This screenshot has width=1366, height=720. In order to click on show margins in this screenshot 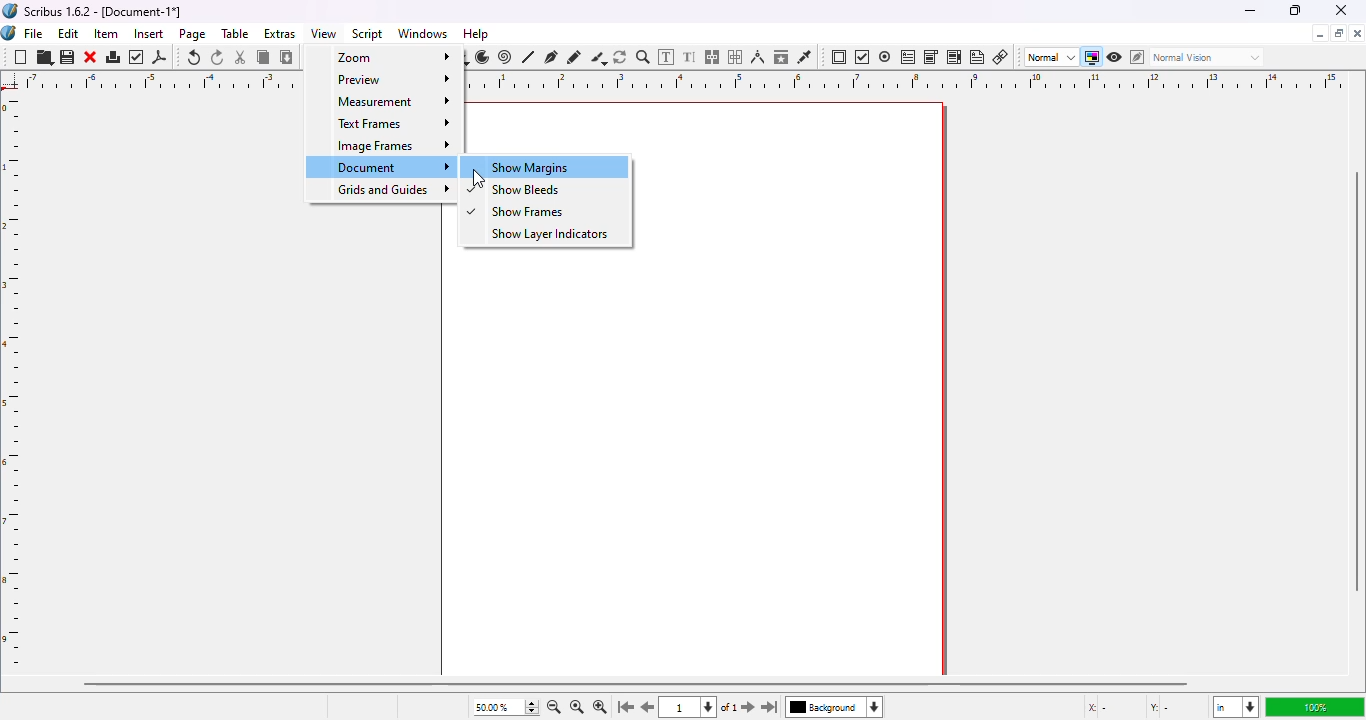, I will do `click(545, 166)`.